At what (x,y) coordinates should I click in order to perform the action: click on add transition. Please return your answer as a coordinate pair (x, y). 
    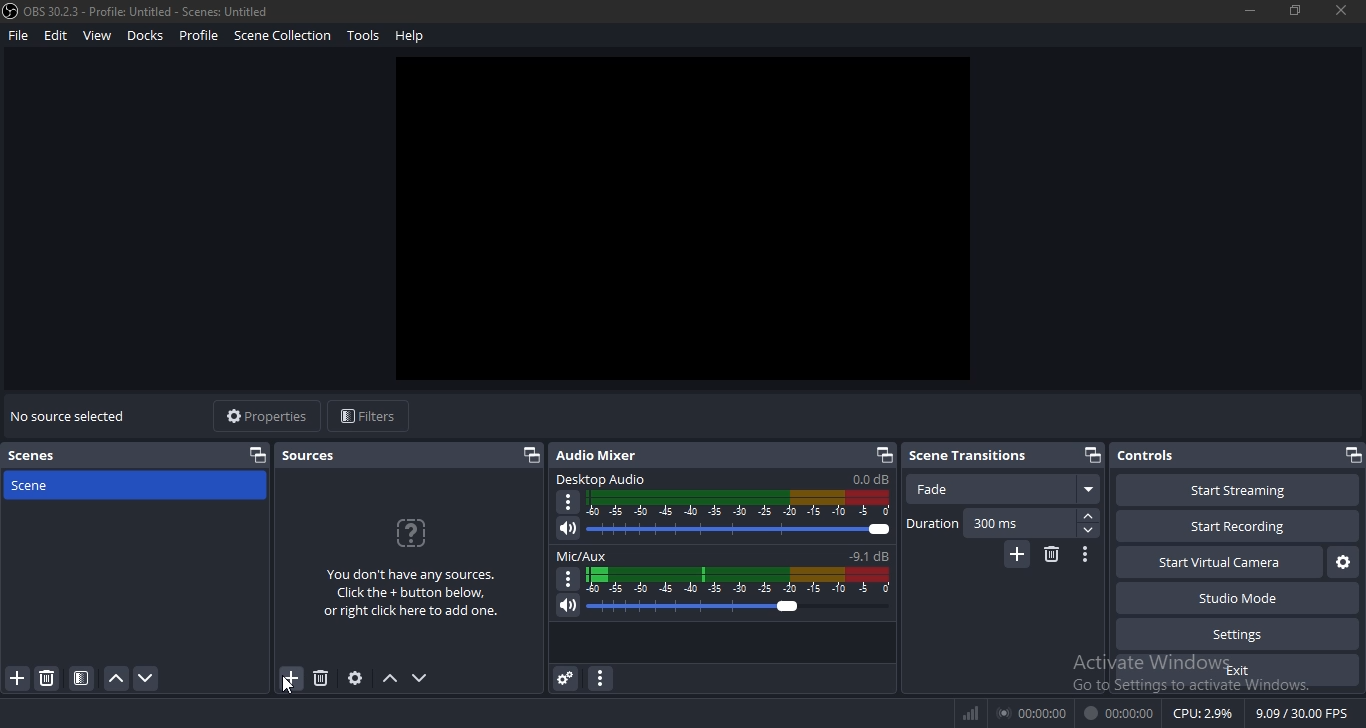
    Looking at the image, I should click on (1018, 556).